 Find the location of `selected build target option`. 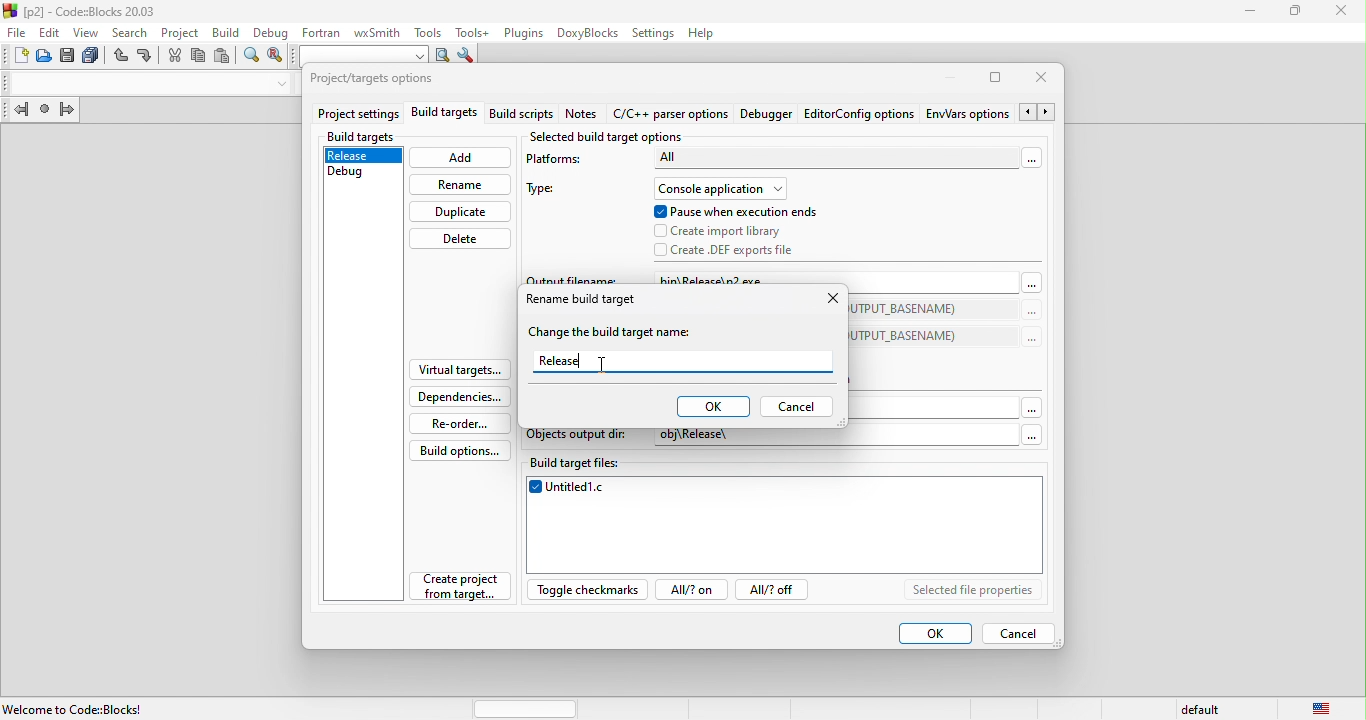

selected build target option is located at coordinates (612, 138).